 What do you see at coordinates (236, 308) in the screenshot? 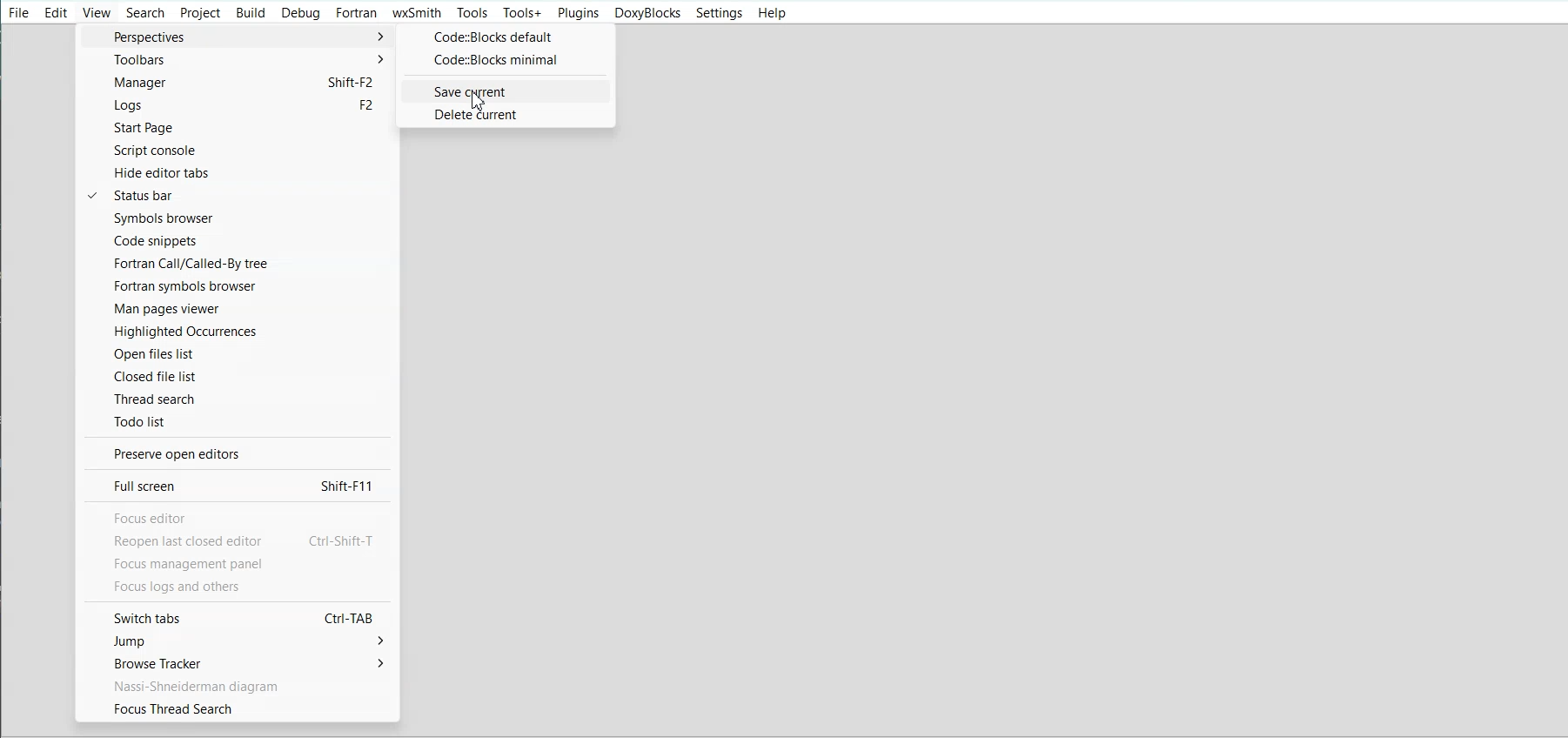
I see `Man pages viewer` at bounding box center [236, 308].